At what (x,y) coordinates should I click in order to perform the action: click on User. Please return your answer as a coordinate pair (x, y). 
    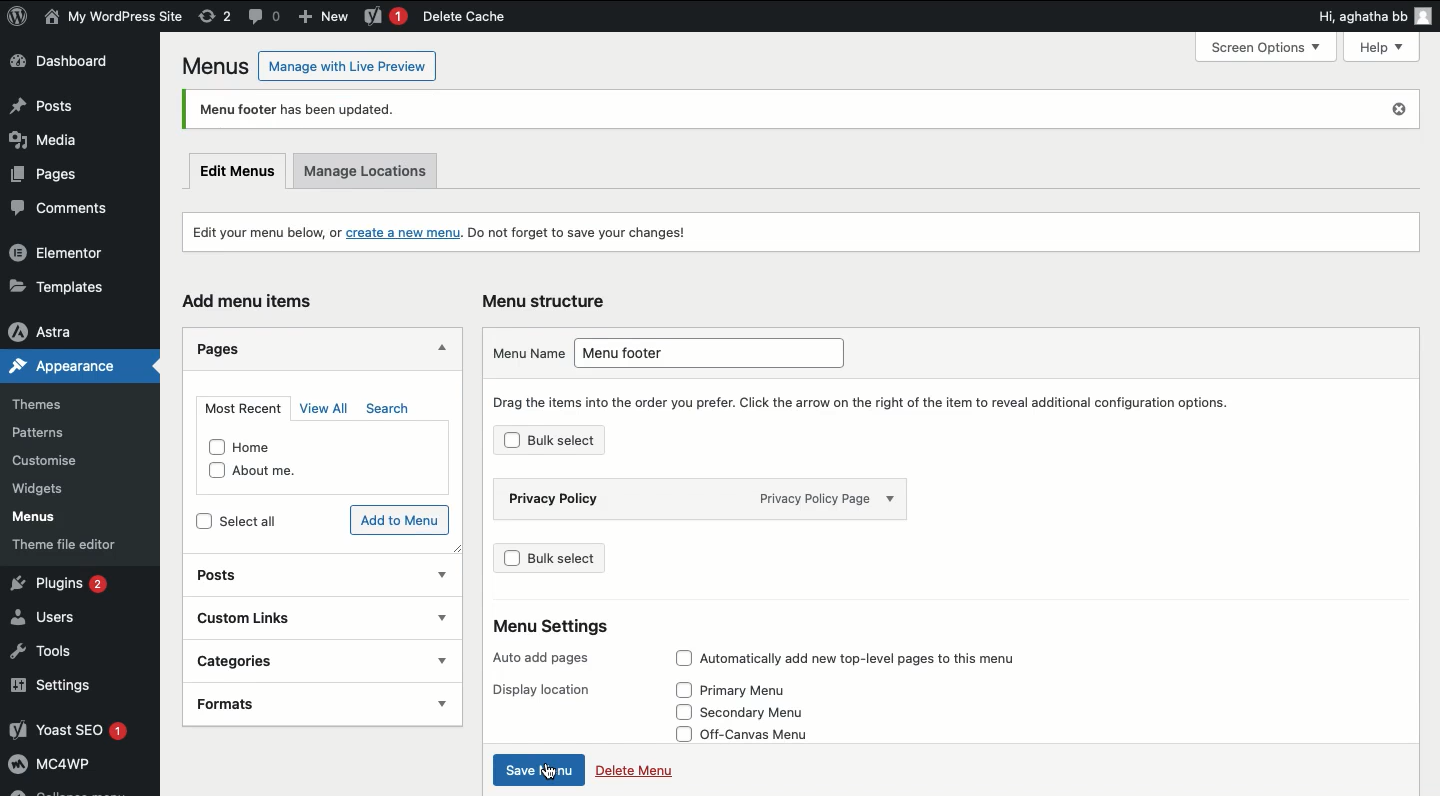
    Looking at the image, I should click on (114, 18).